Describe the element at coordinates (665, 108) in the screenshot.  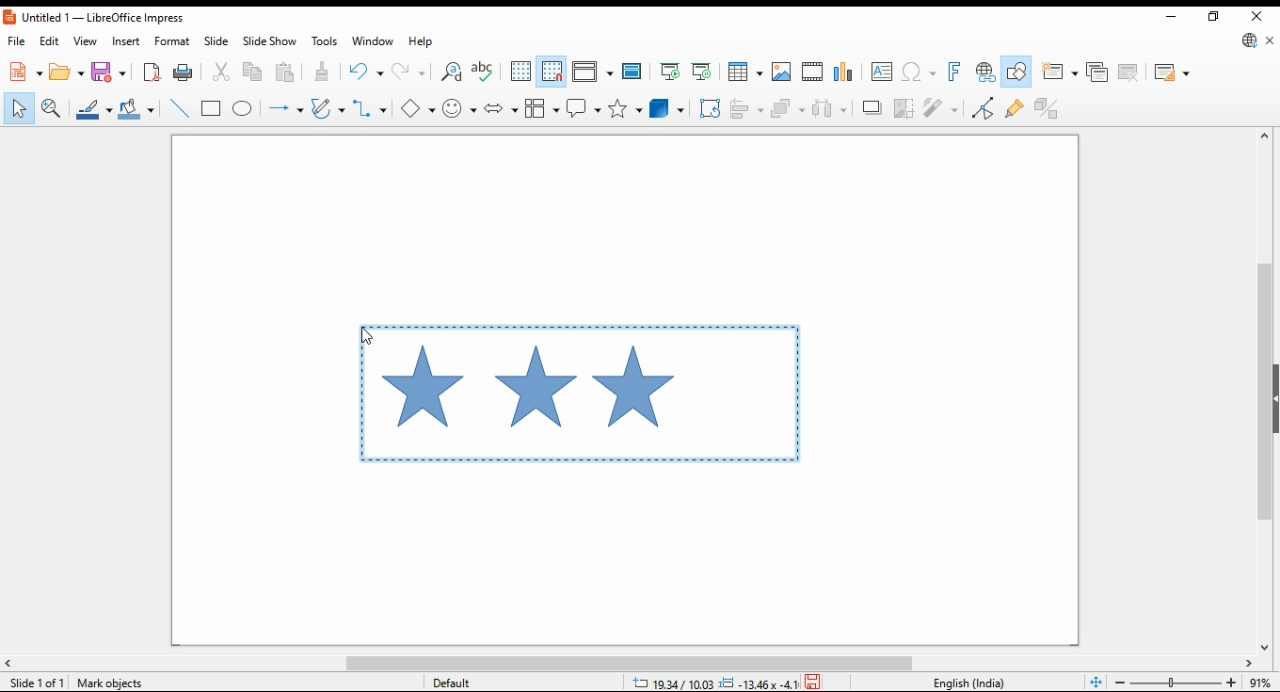
I see `3D objects` at that location.